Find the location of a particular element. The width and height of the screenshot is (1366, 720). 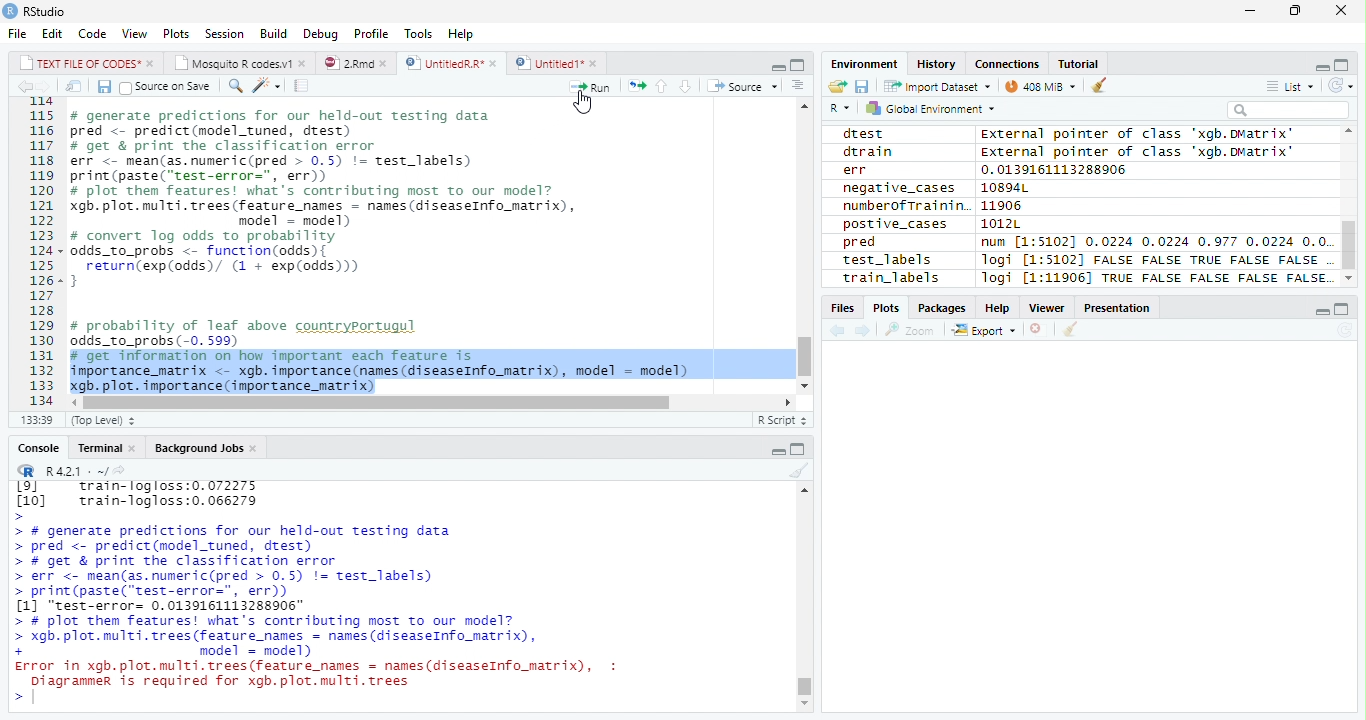

postive_cases is located at coordinates (894, 224).